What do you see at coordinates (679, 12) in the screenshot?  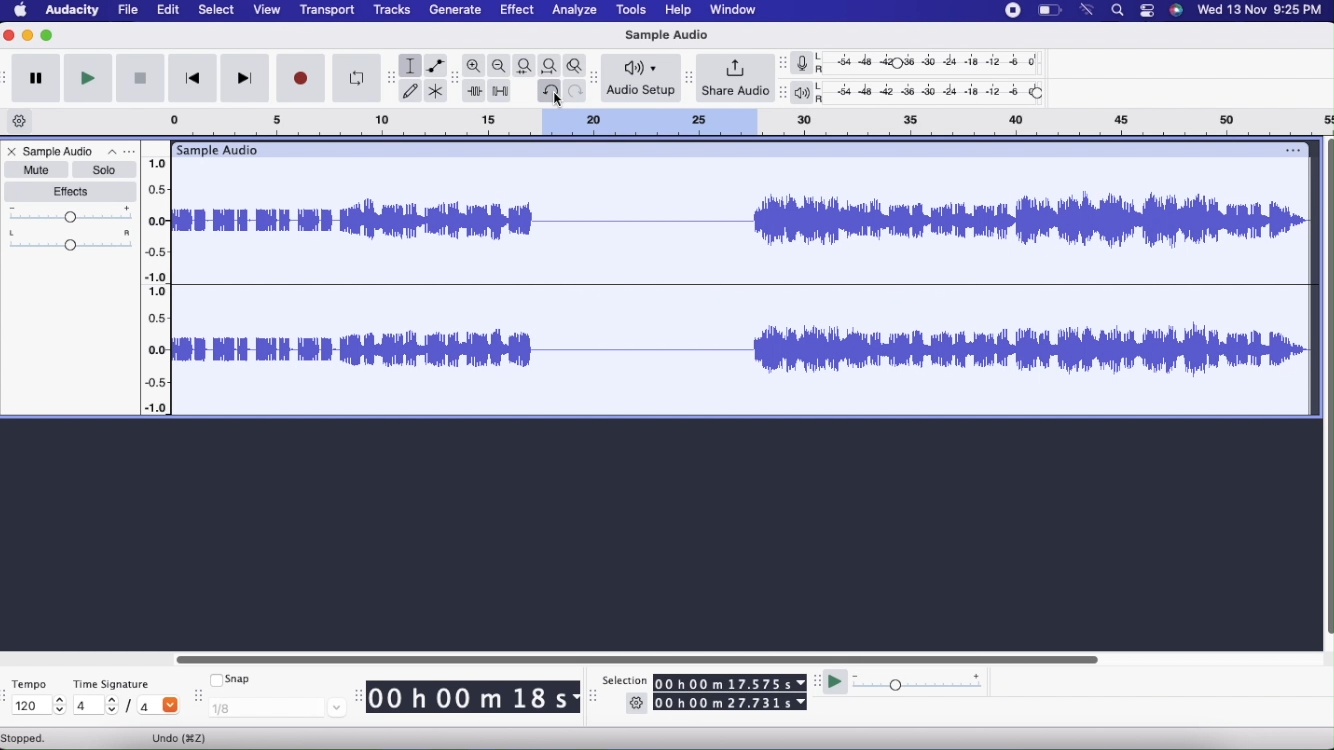 I see `Help` at bounding box center [679, 12].